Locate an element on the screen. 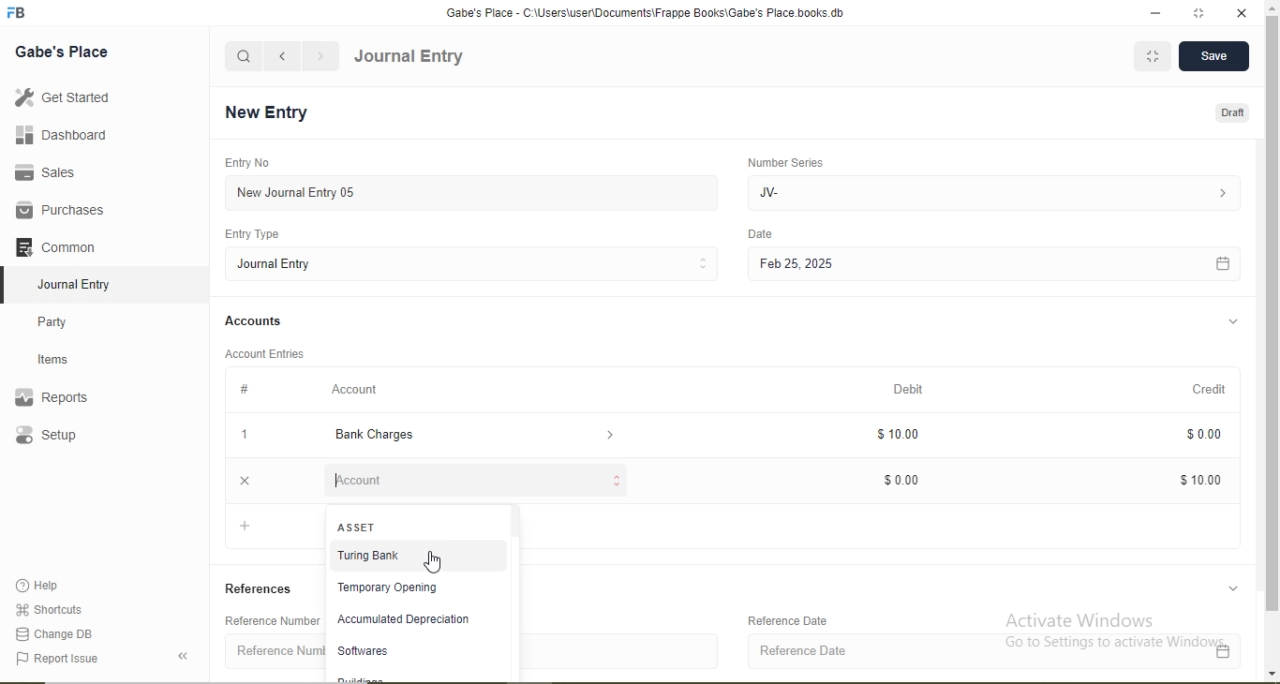 The image size is (1280, 684). Credit is located at coordinates (1219, 388).